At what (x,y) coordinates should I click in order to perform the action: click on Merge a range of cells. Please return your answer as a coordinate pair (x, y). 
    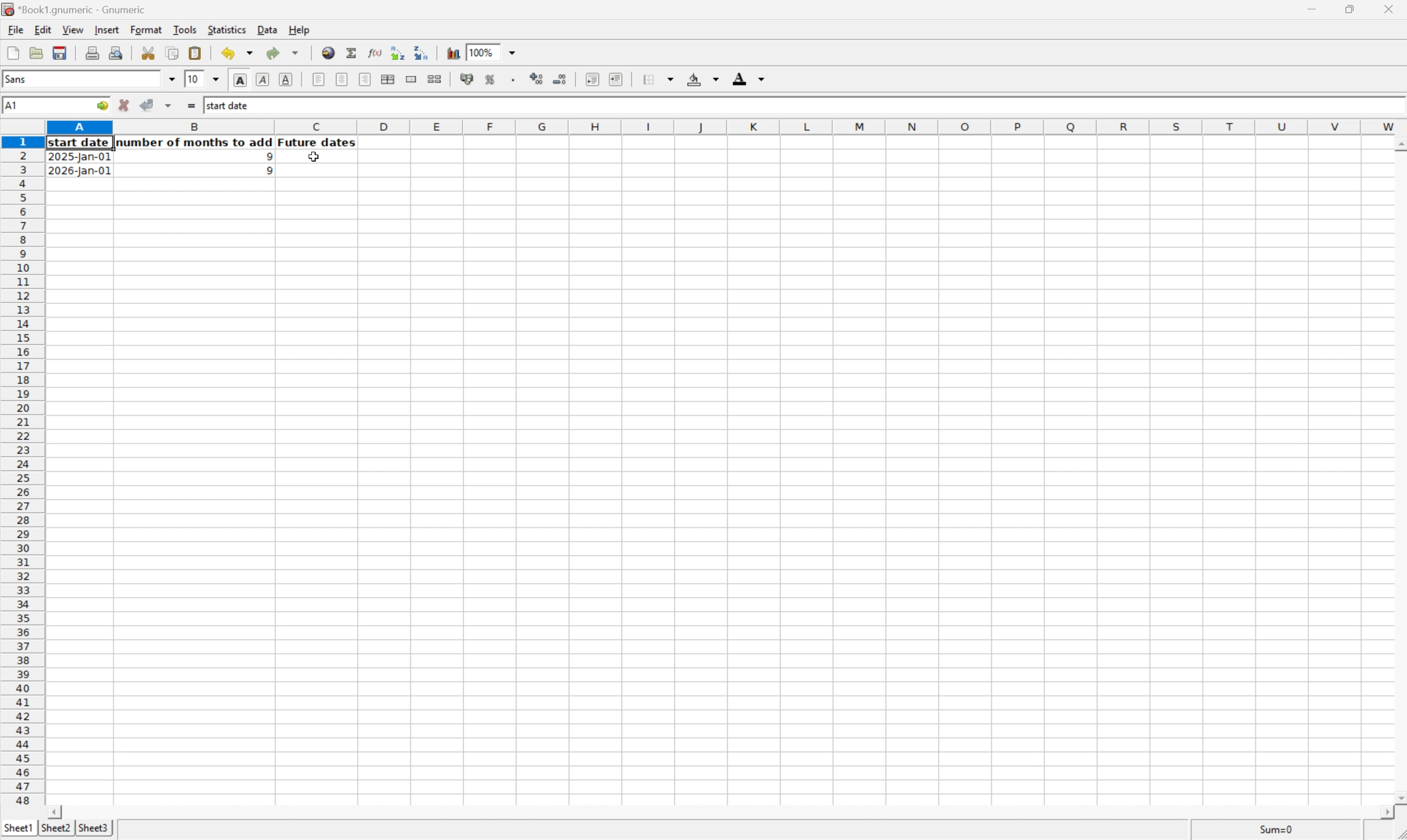
    Looking at the image, I should click on (409, 78).